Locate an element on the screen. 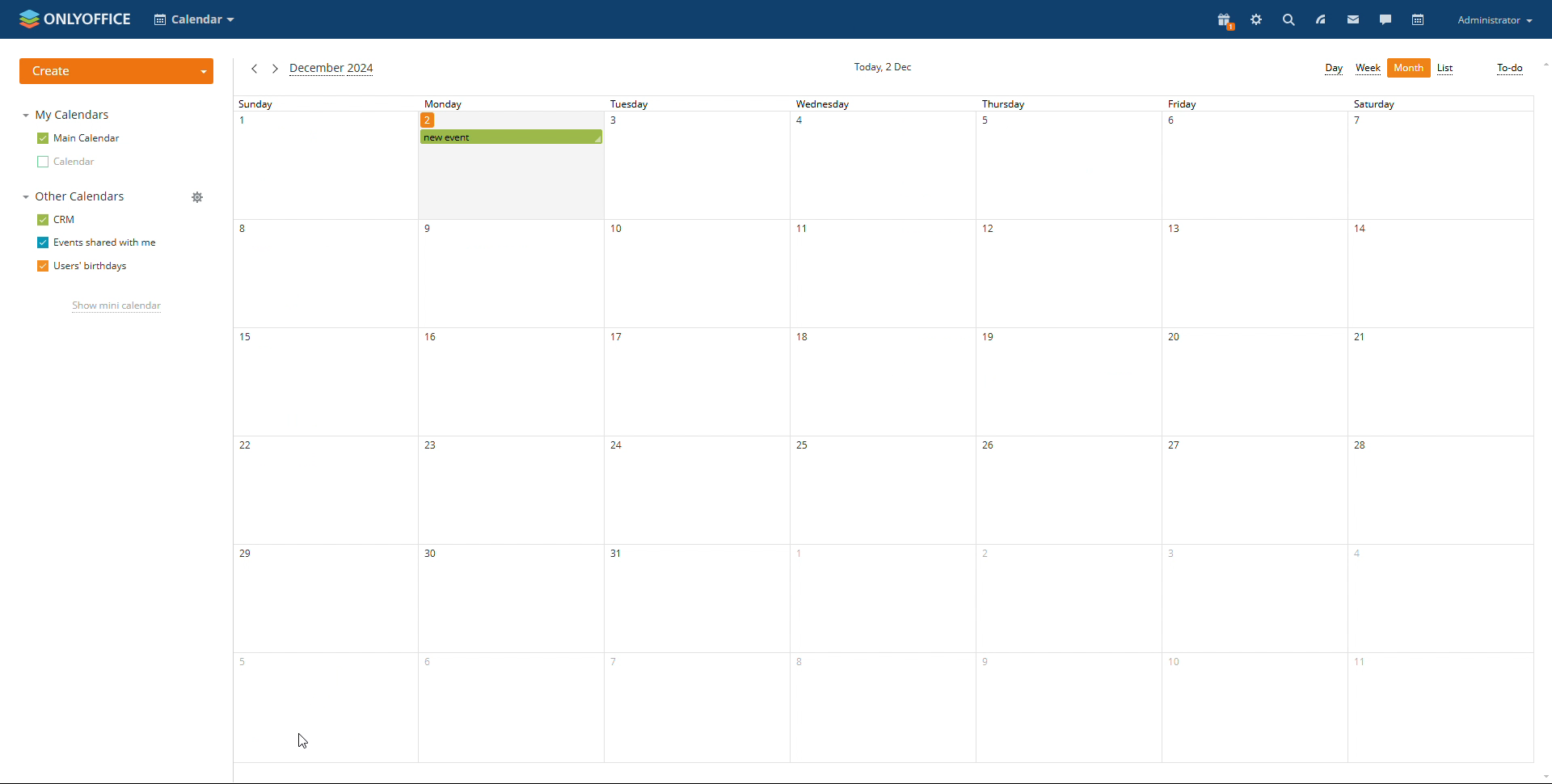 The image size is (1552, 784). month view is located at coordinates (1409, 69).